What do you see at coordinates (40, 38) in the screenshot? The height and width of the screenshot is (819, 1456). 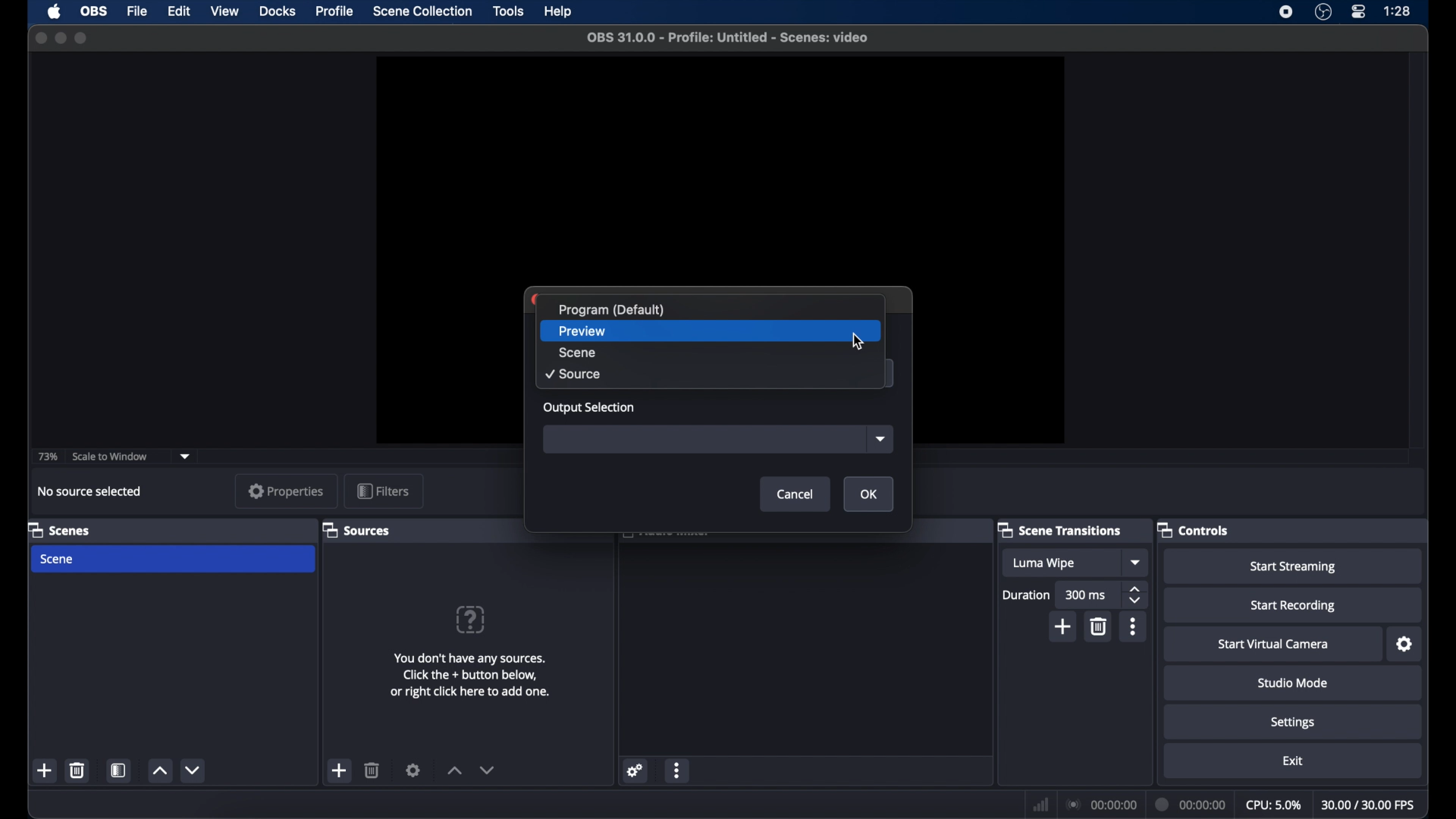 I see `close` at bounding box center [40, 38].